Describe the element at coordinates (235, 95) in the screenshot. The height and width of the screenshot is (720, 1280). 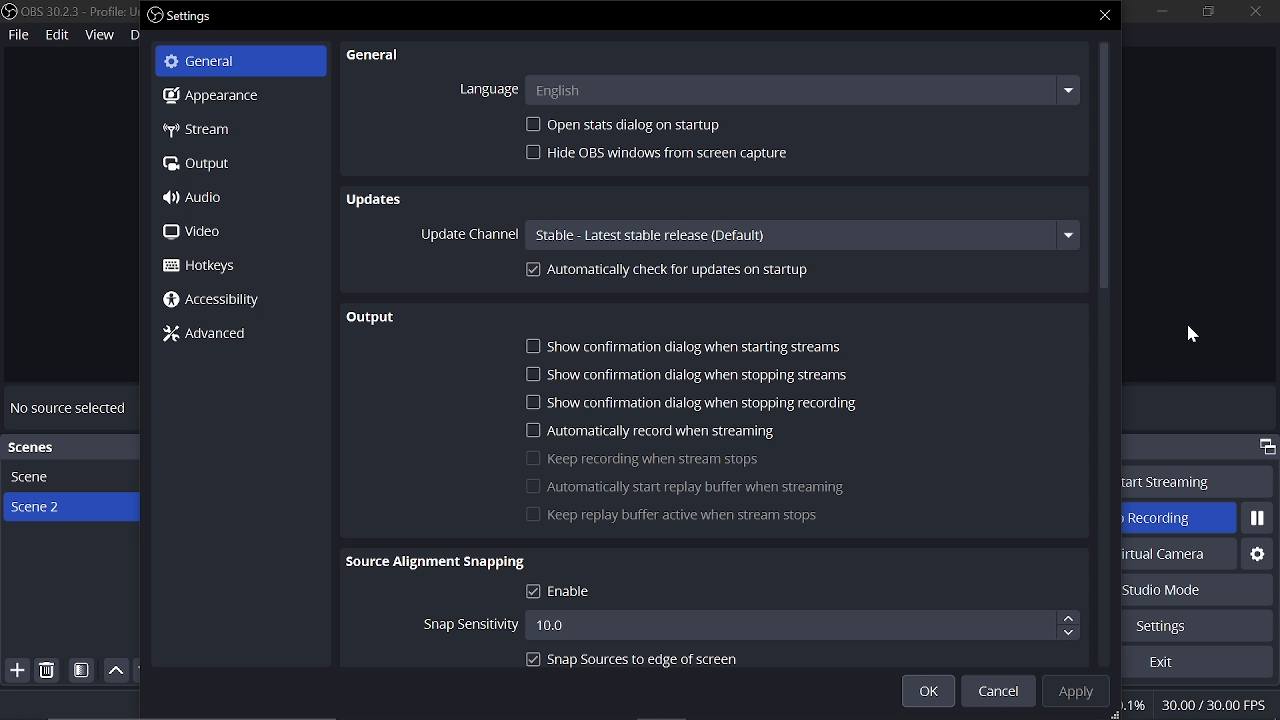
I see `appearance` at that location.